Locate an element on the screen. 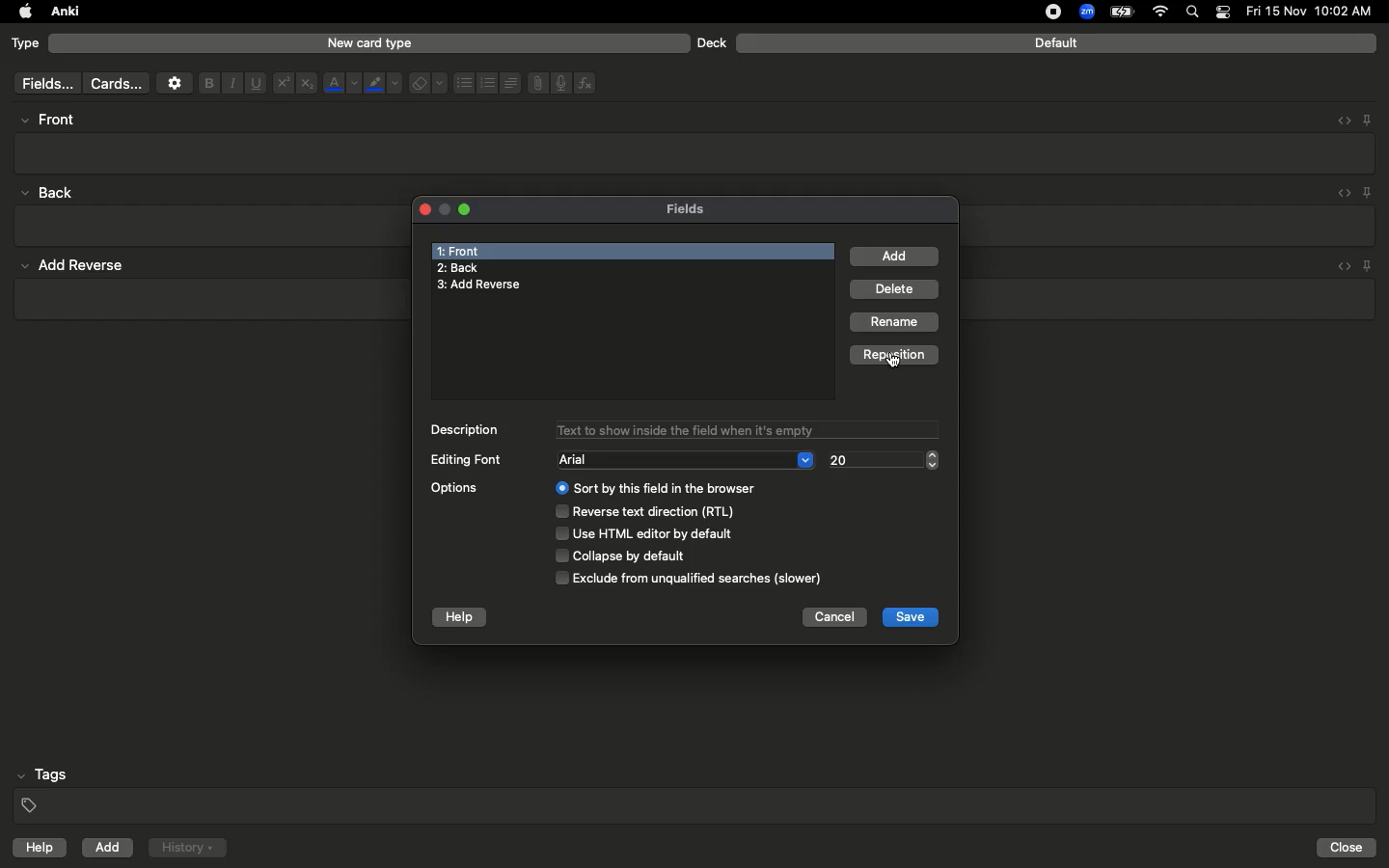 This screenshot has height=868, width=1389. Reposition is located at coordinates (898, 356).